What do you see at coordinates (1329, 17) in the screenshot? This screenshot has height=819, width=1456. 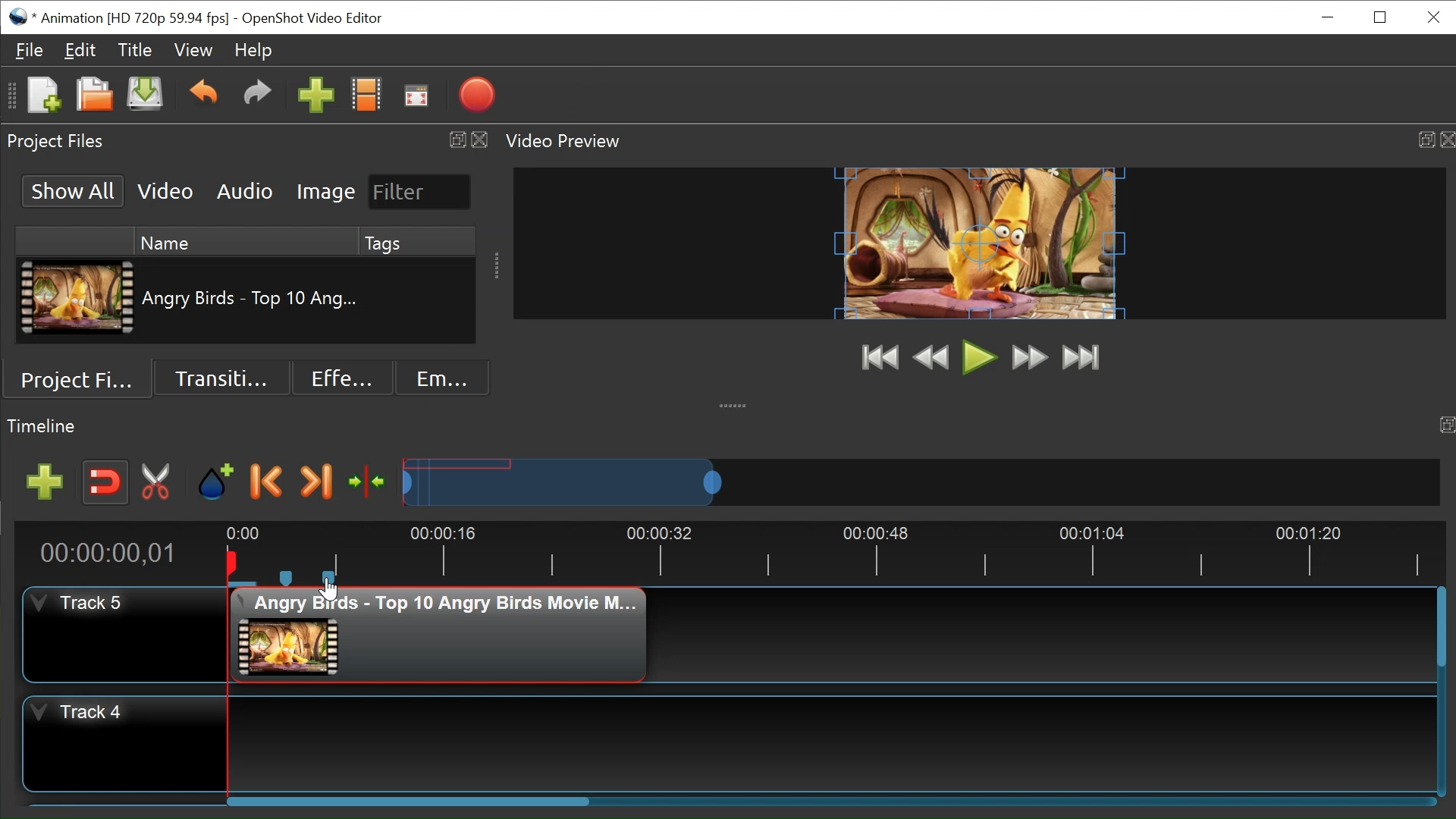 I see `minimize` at bounding box center [1329, 17].